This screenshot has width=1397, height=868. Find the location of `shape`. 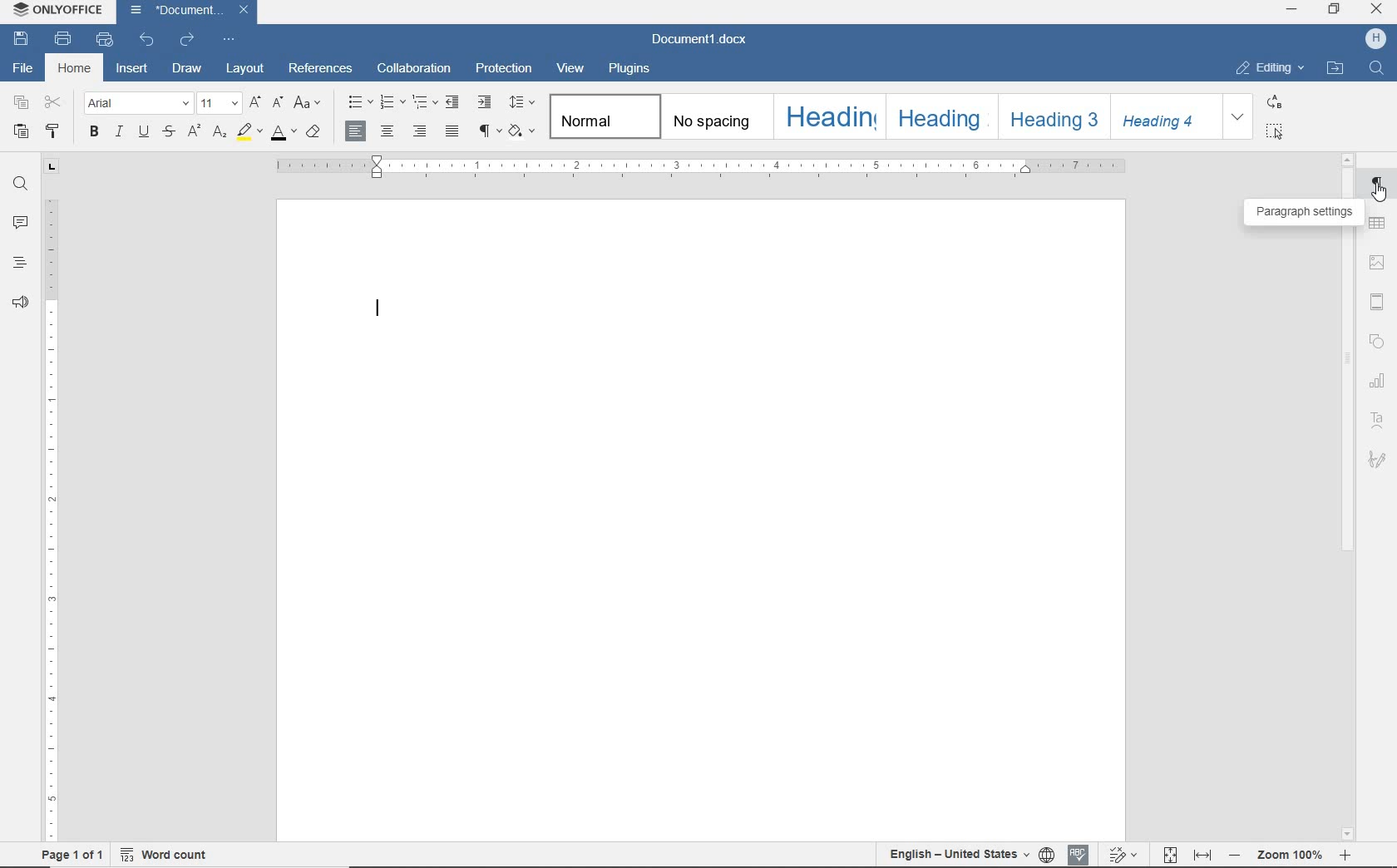

shape is located at coordinates (1378, 338).